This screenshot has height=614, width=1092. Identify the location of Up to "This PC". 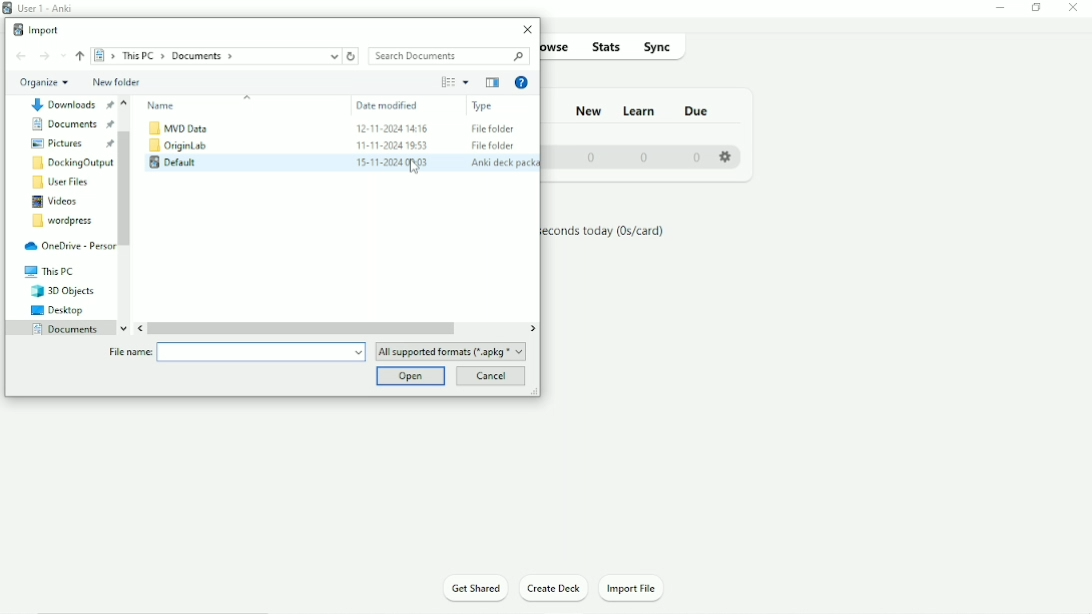
(80, 57).